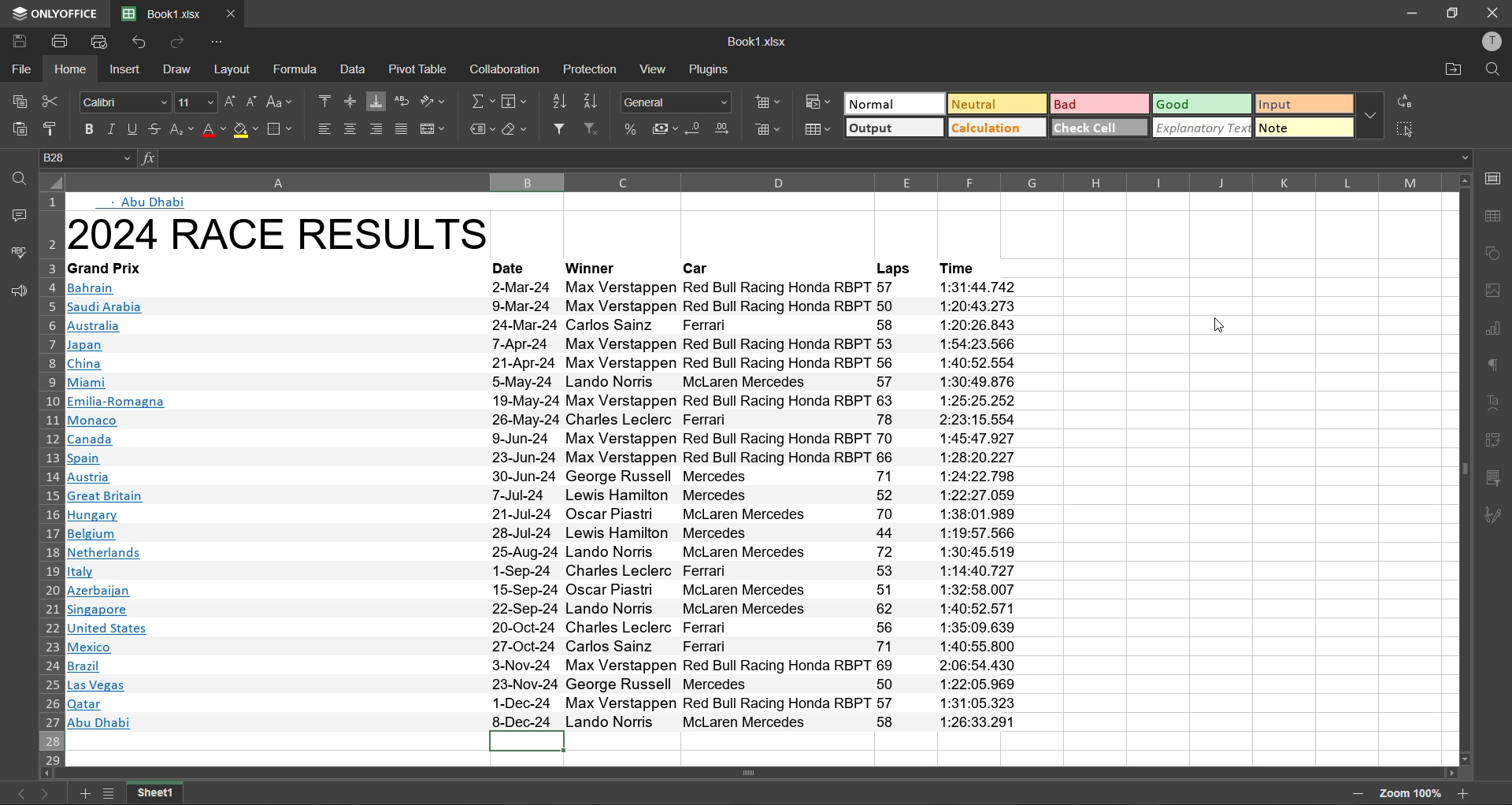 The height and width of the screenshot is (805, 1512). What do you see at coordinates (1463, 186) in the screenshot?
I see `move up` at bounding box center [1463, 186].